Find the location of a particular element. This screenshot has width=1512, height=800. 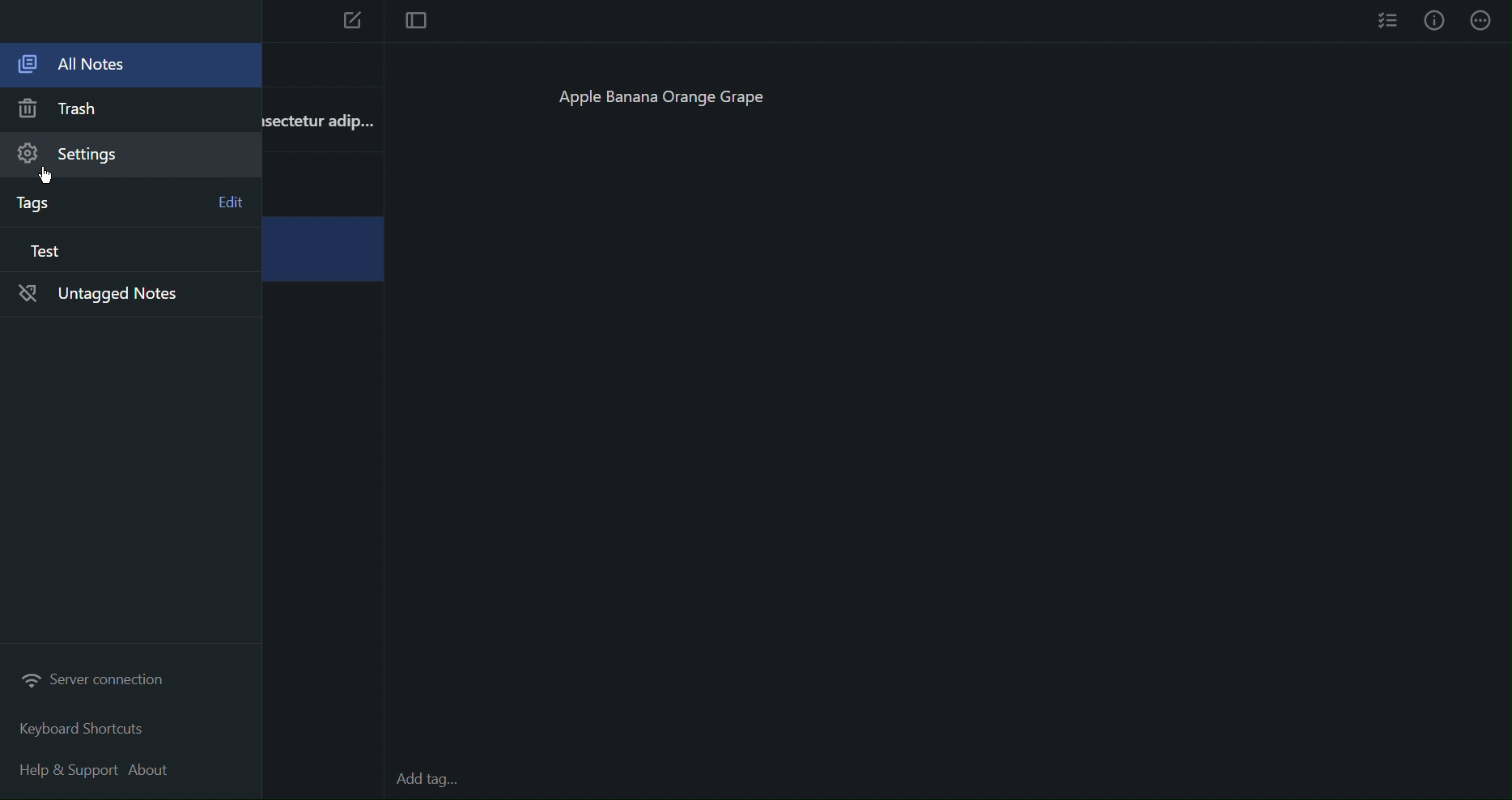

Apple Banana Orange Grape is located at coordinates (670, 100).